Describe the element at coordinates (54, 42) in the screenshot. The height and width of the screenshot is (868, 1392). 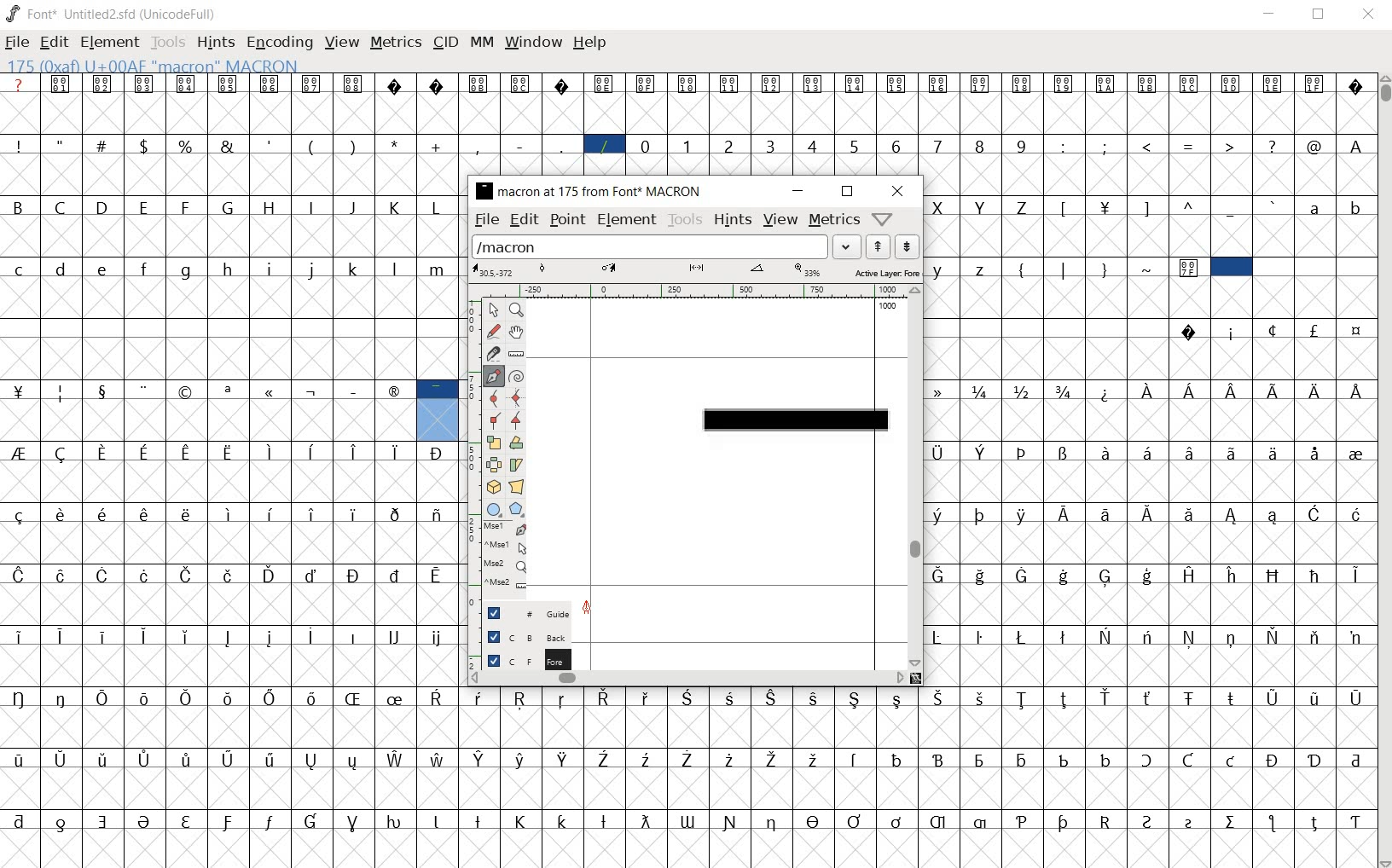
I see `edit` at that location.